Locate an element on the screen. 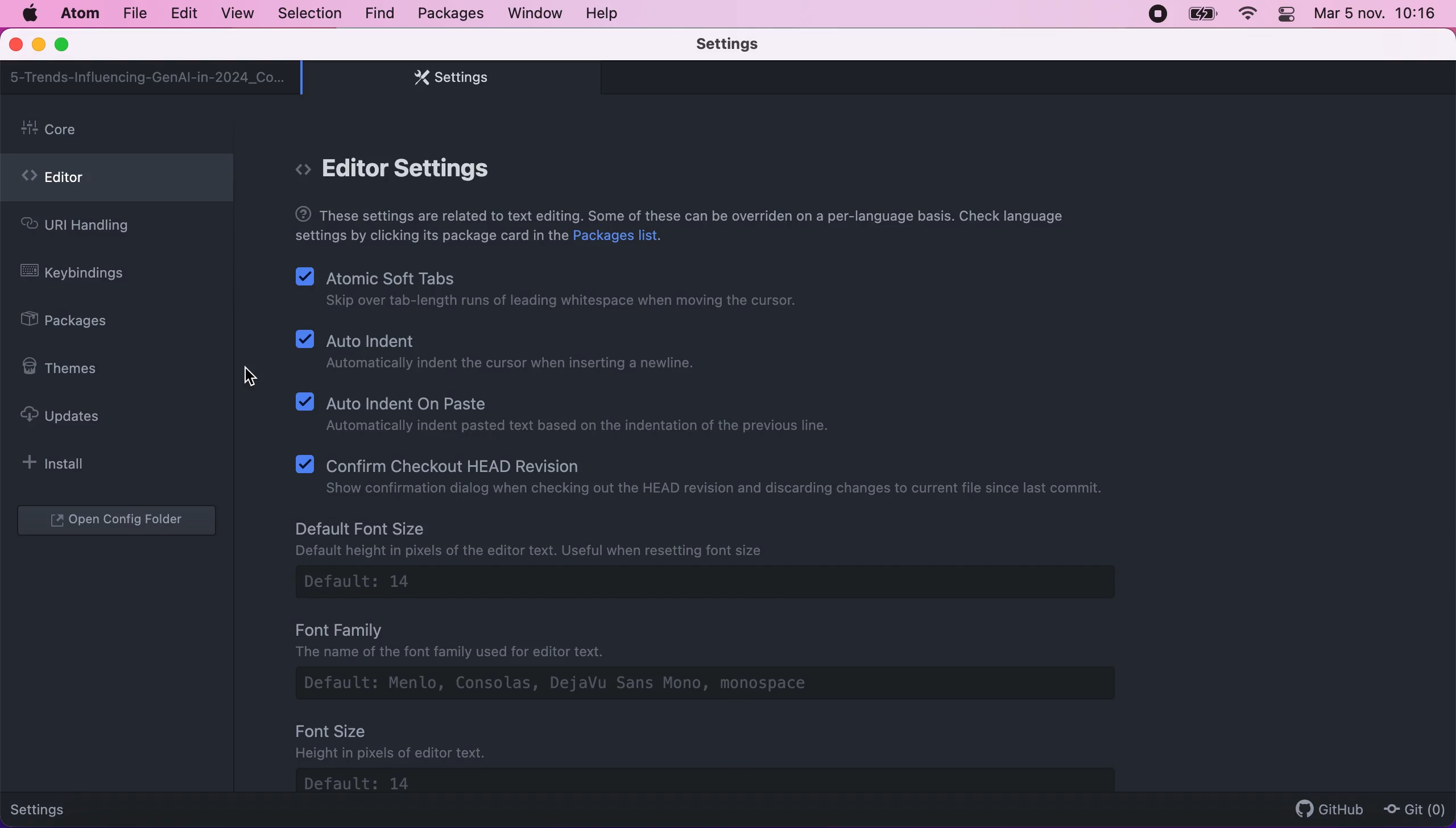 The width and height of the screenshot is (1456, 828). battery is located at coordinates (1202, 14).